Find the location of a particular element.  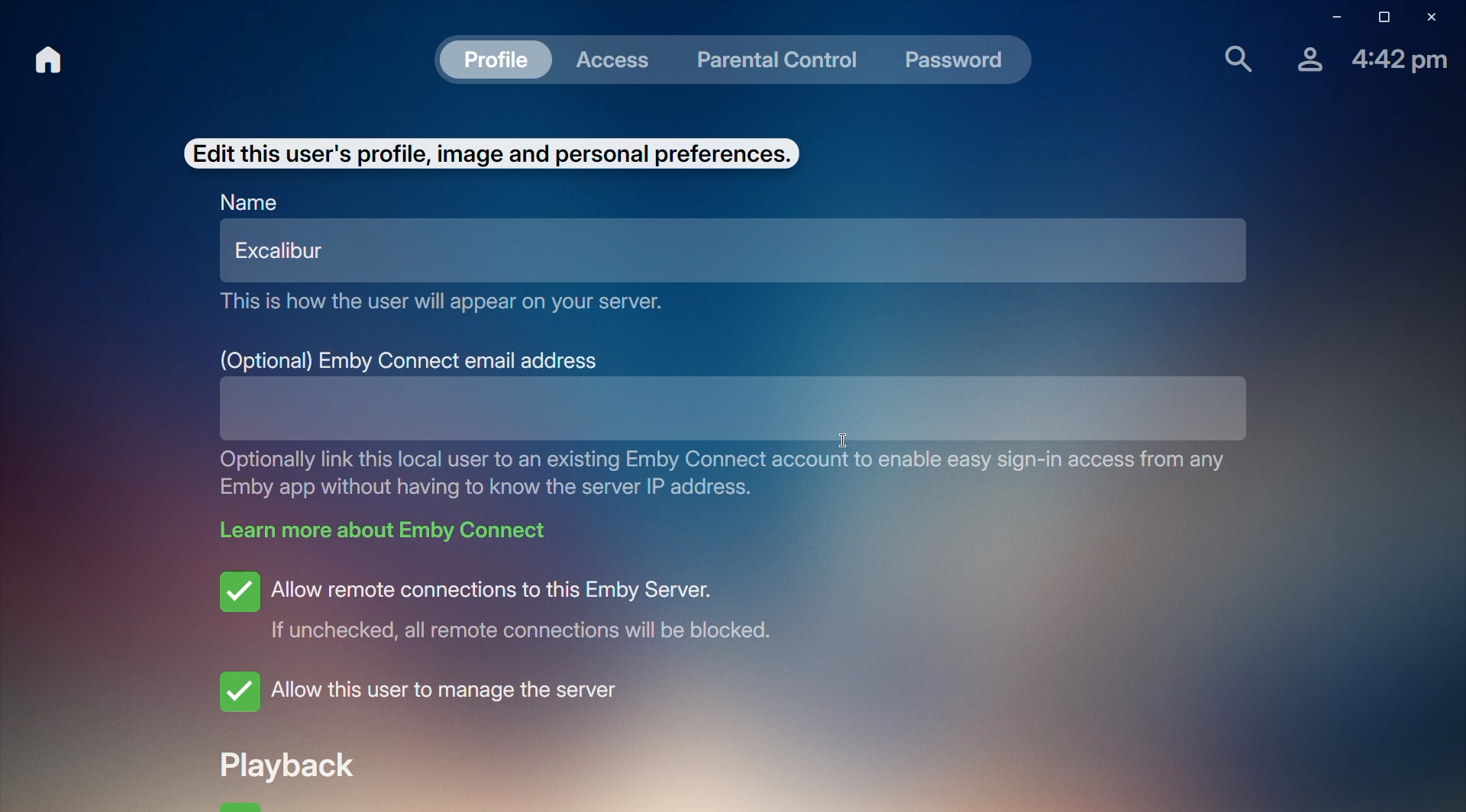

optionally link this local user to an existing Emby Connect account to enable easy sign-in access from anyEmby app without having to know the server IP address. is located at coordinates (736, 472).